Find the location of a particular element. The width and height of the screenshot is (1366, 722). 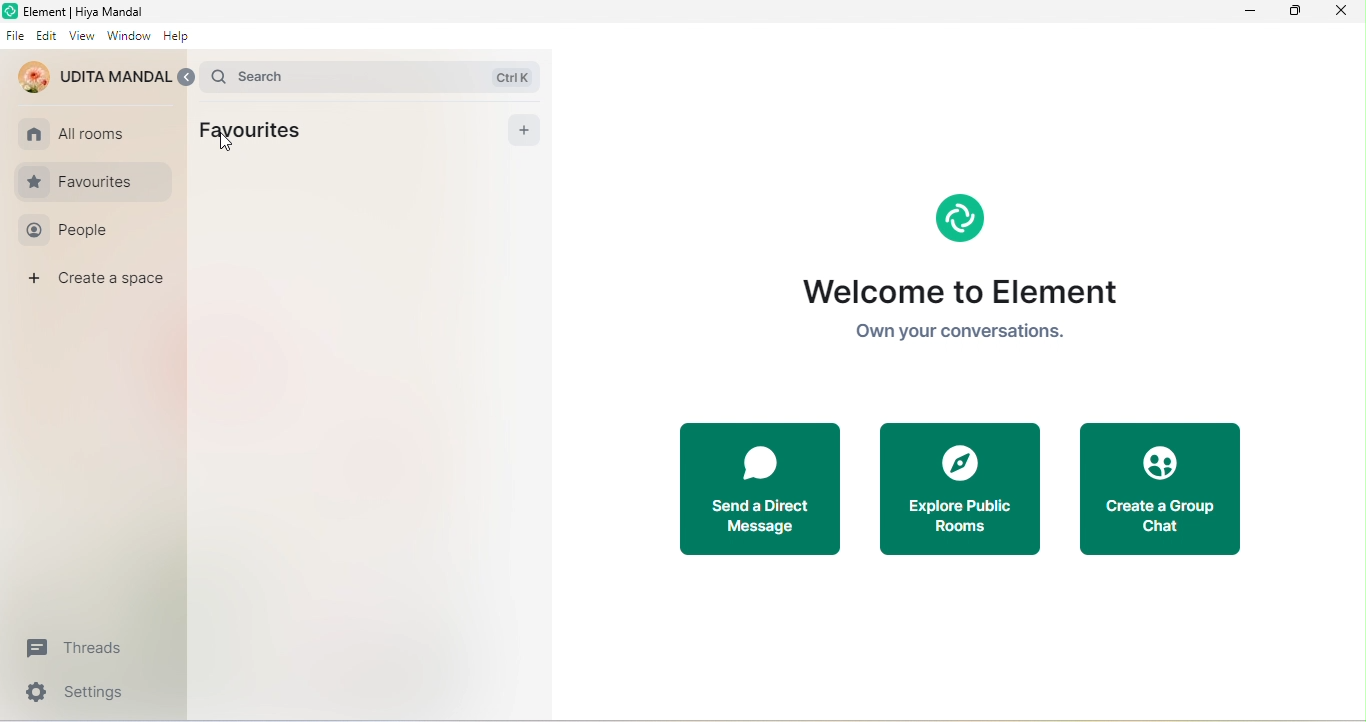

all rooms is located at coordinates (83, 131).